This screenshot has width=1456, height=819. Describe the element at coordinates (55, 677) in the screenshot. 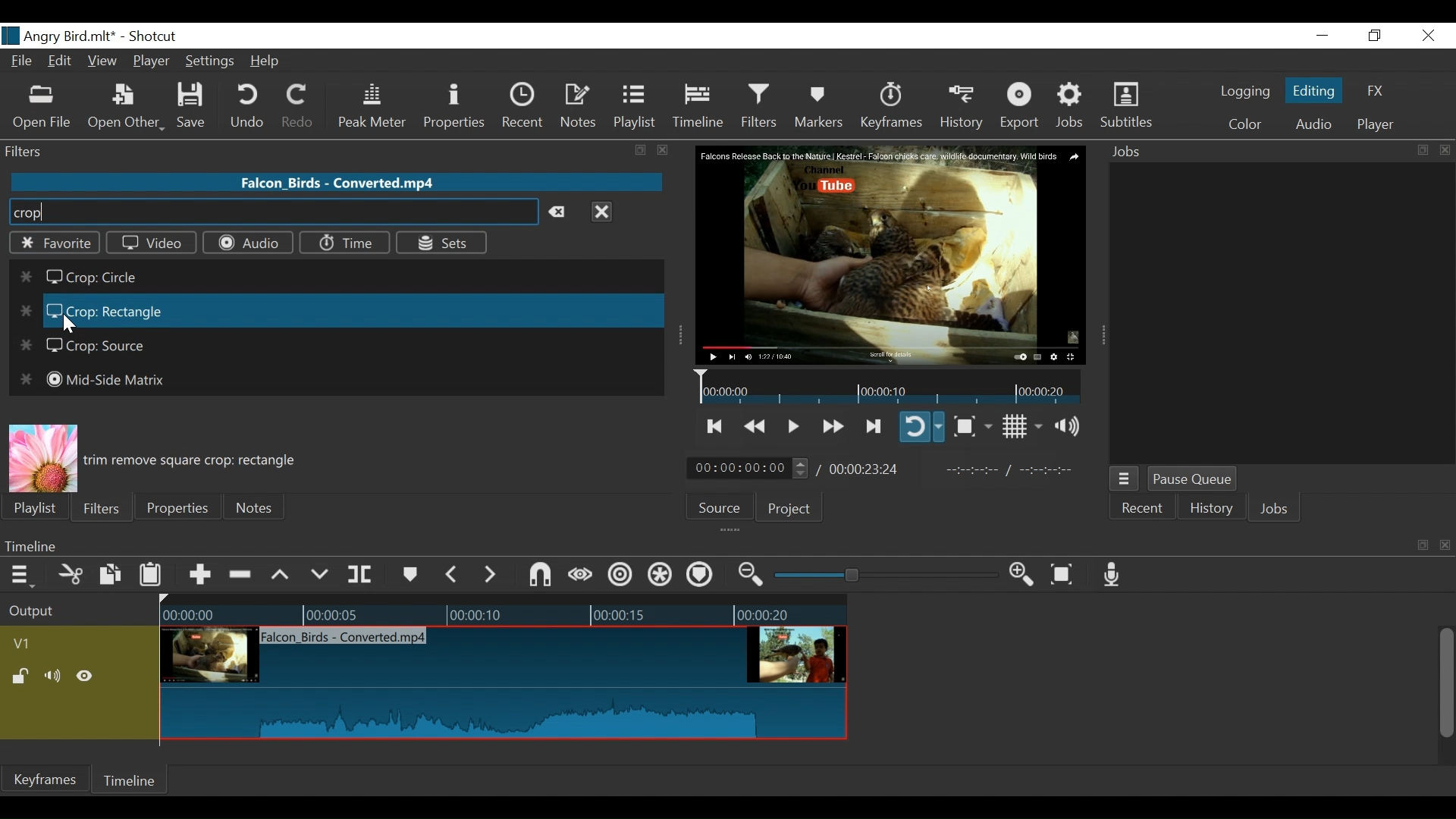

I see `Mute` at that location.